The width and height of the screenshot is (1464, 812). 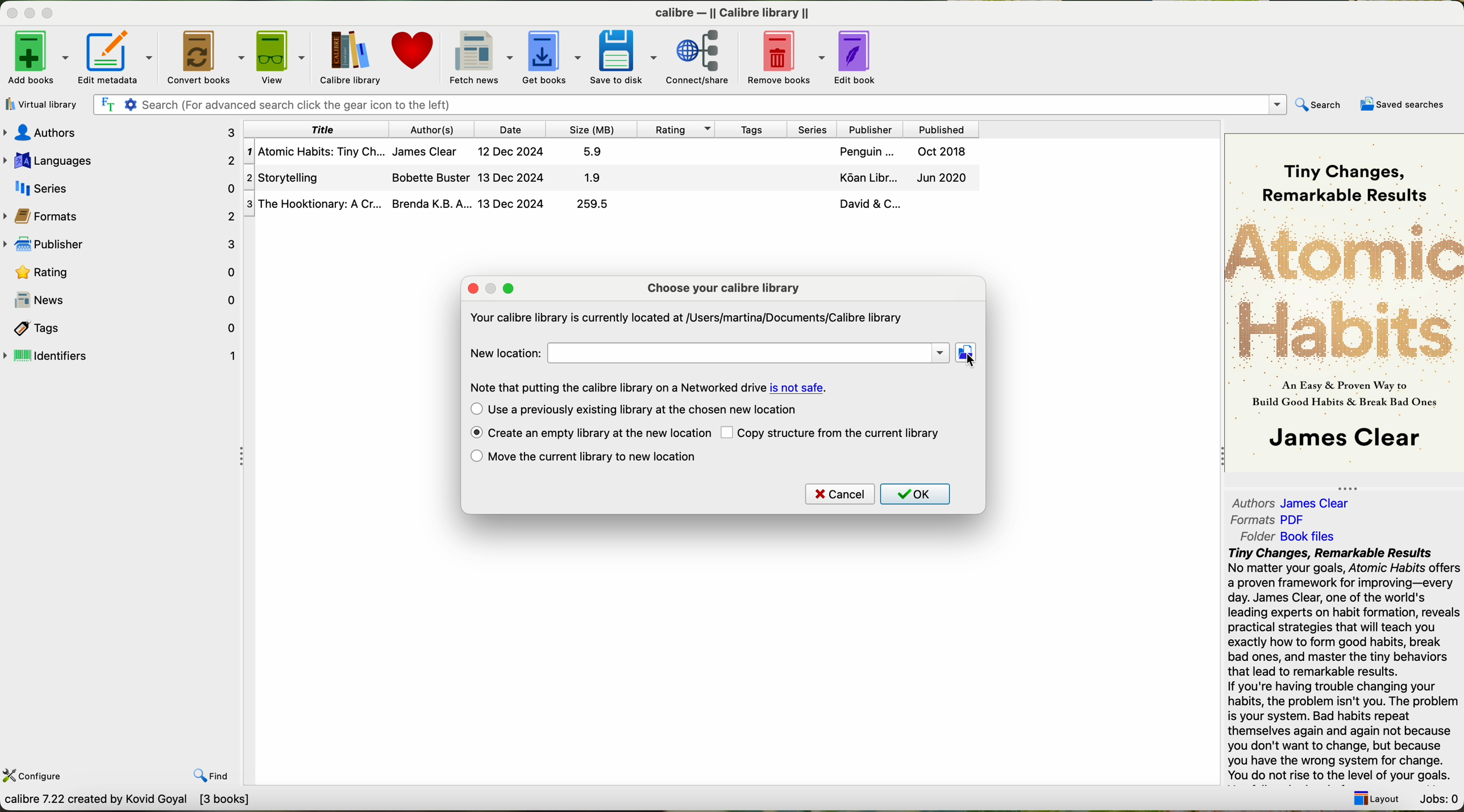 I want to click on languages, so click(x=120, y=159).